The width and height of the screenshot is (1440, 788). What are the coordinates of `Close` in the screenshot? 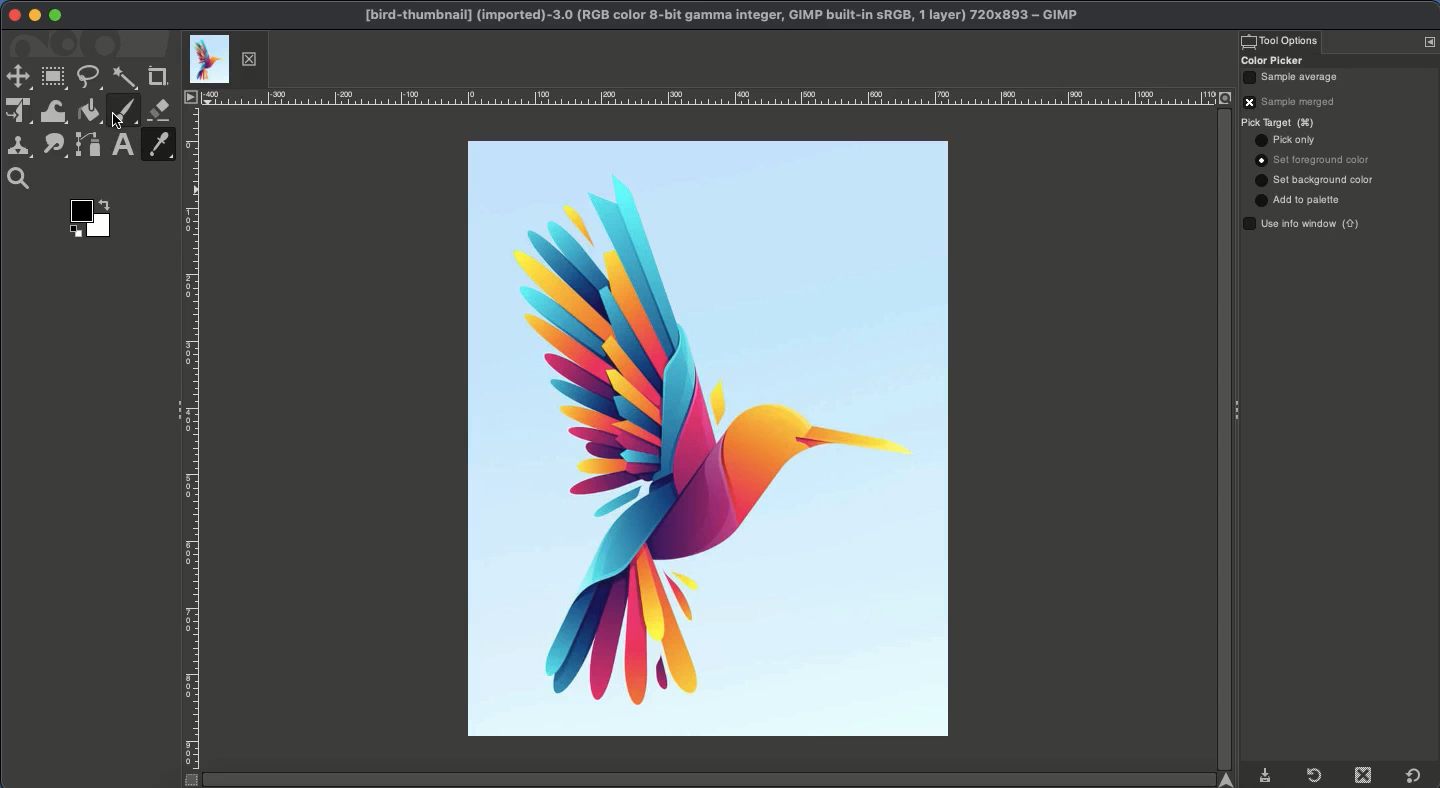 It's located at (1367, 775).